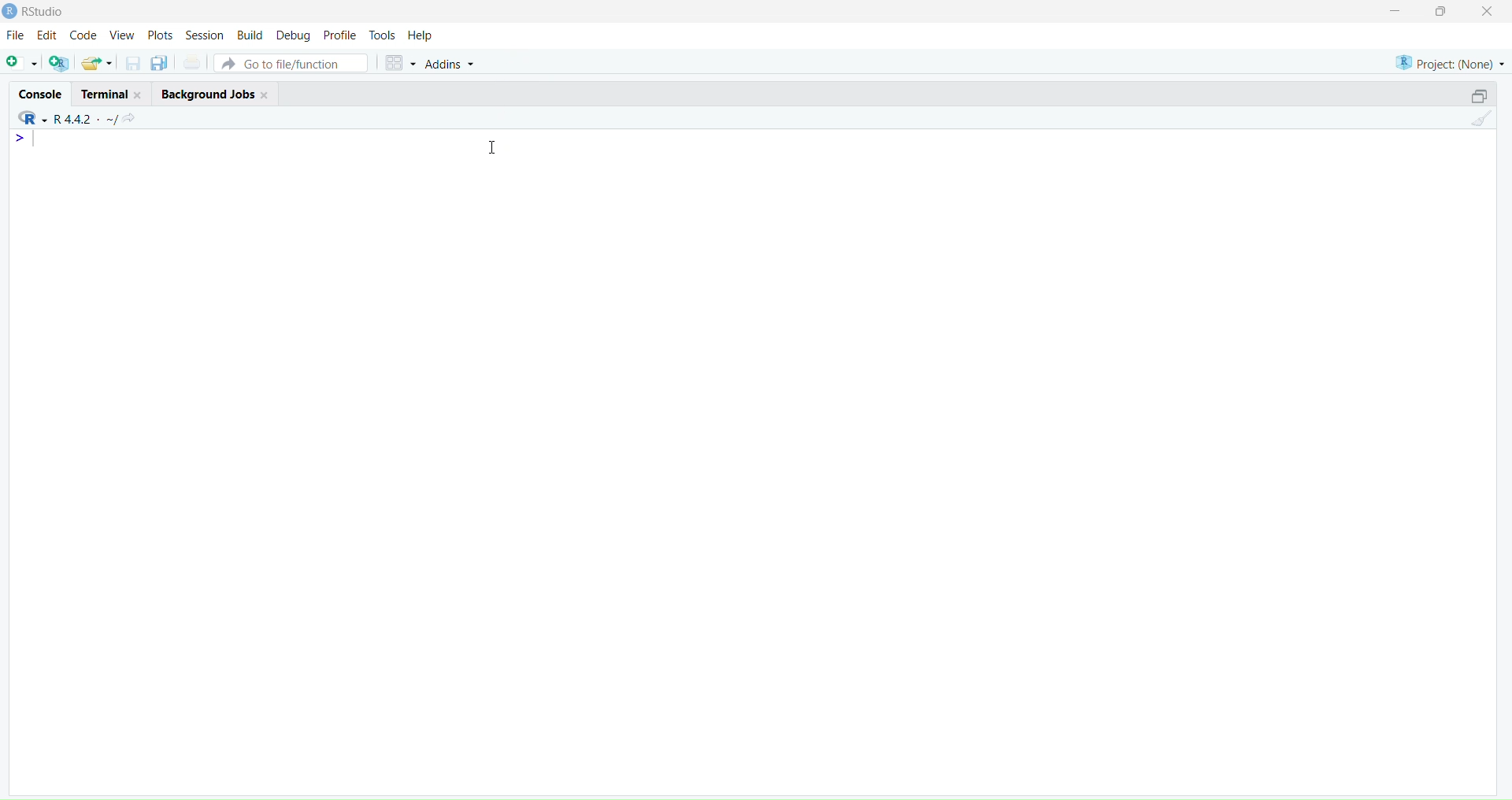 This screenshot has height=800, width=1512. Describe the element at coordinates (161, 35) in the screenshot. I see `plots` at that location.